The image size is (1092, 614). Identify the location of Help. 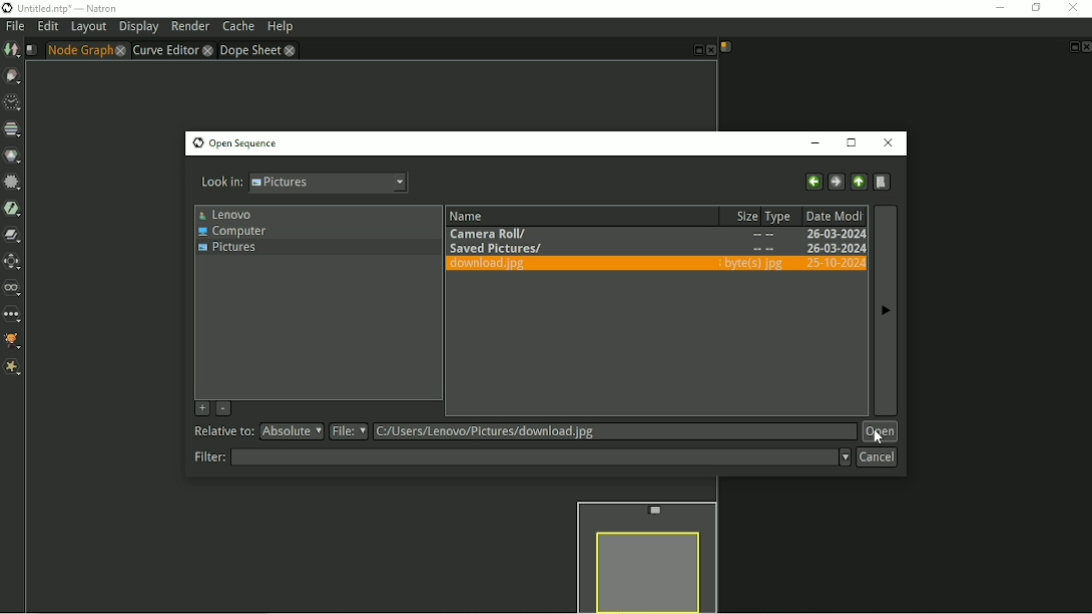
(279, 27).